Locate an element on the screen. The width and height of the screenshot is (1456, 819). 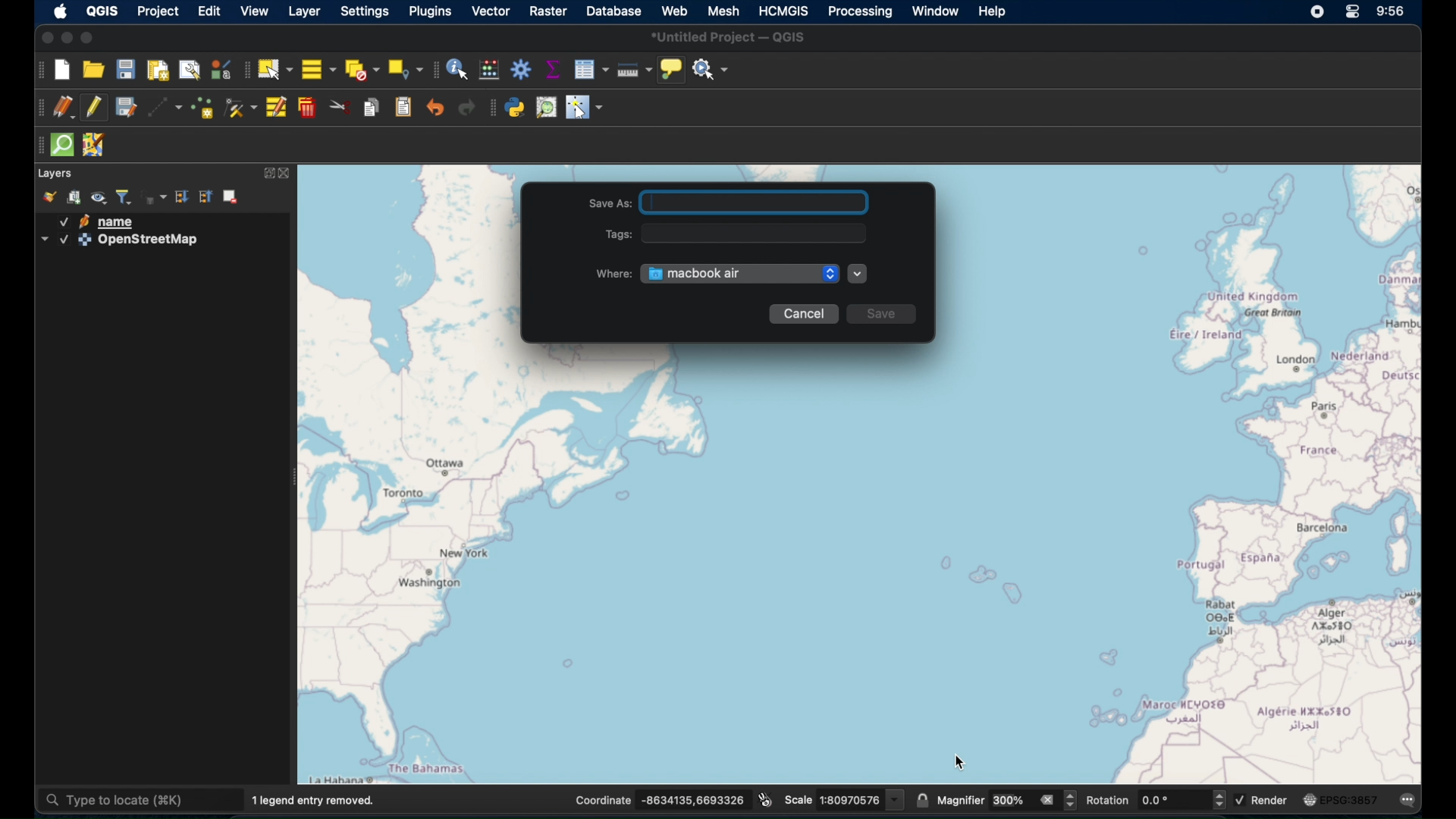
time is located at coordinates (1393, 13).